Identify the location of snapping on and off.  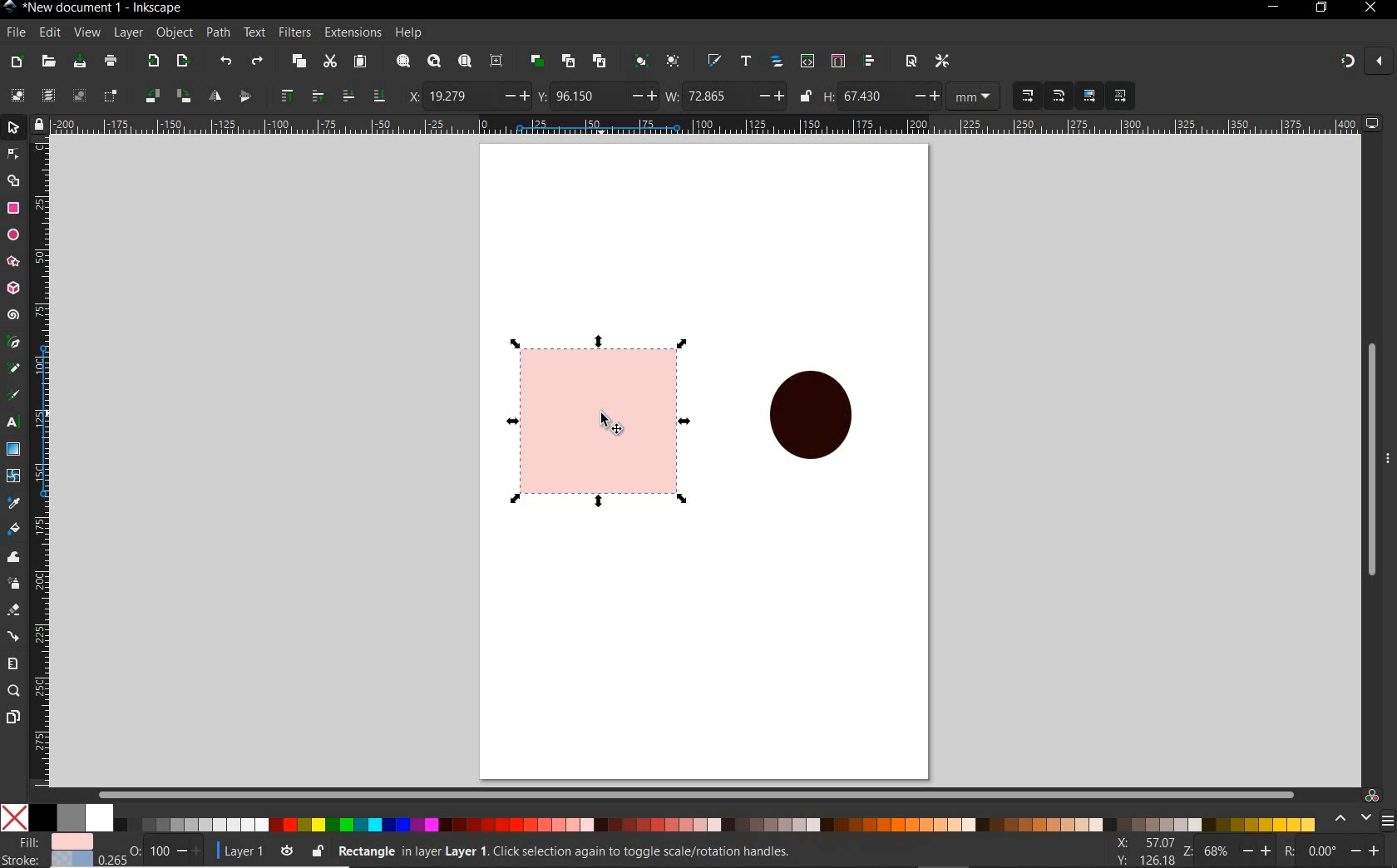
(1365, 60).